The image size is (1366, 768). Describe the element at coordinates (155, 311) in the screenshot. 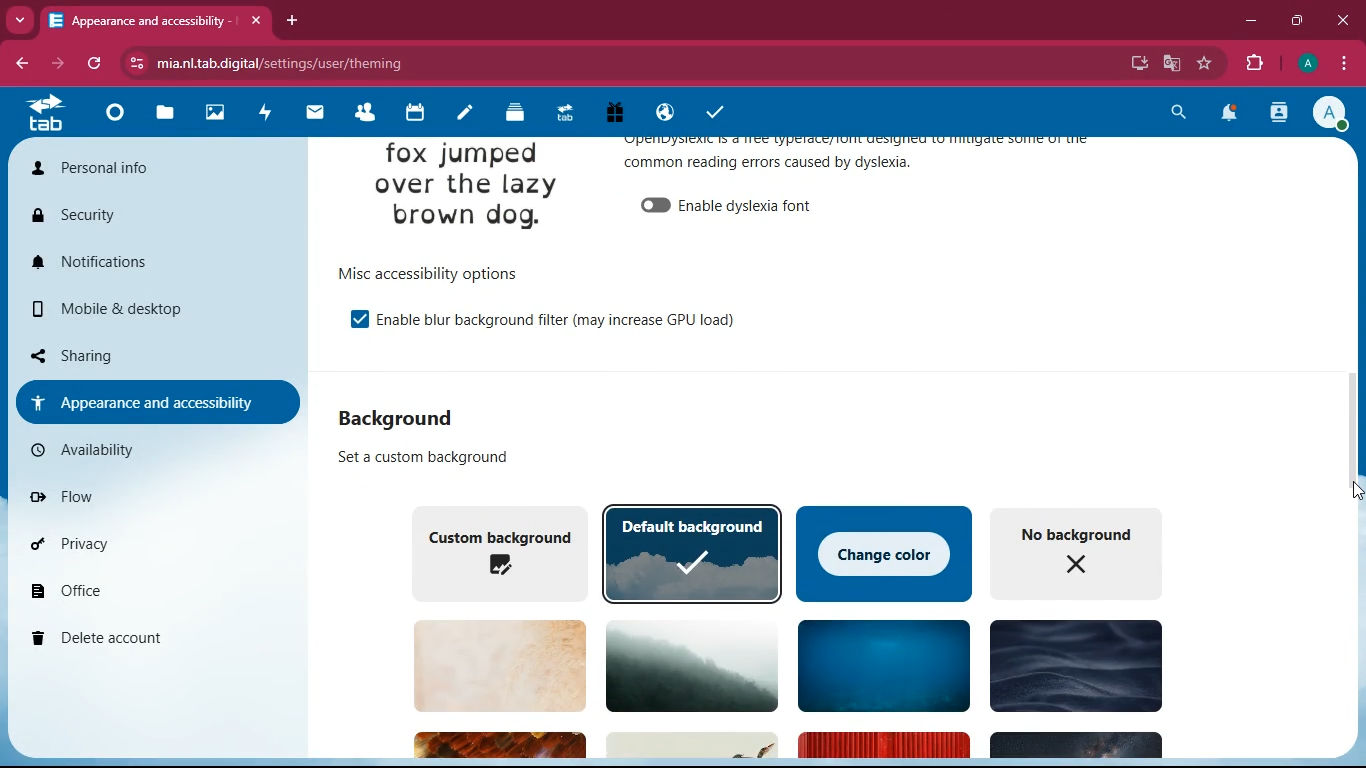

I see `mobile ` at that location.